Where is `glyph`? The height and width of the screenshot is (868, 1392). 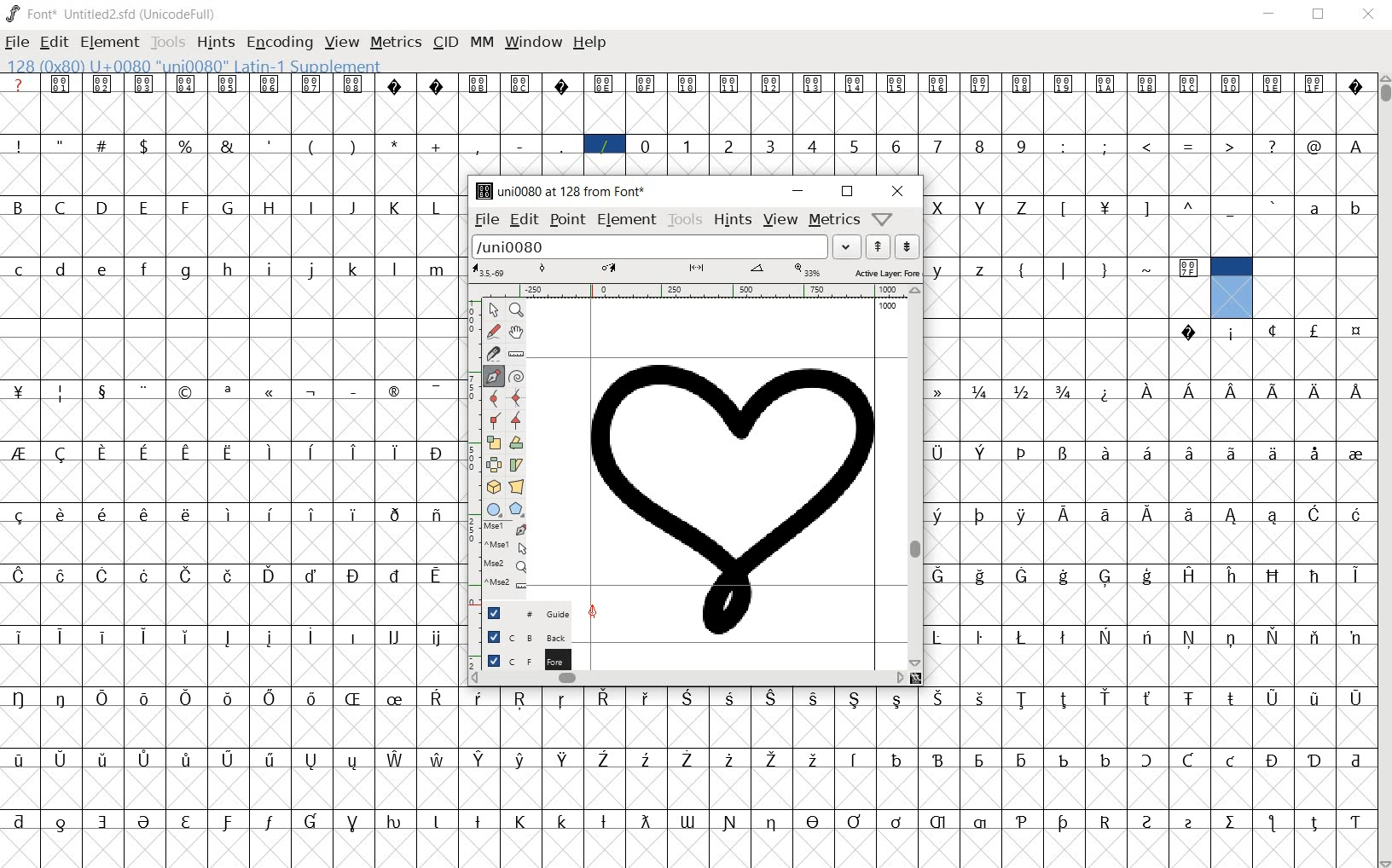 glyph is located at coordinates (310, 84).